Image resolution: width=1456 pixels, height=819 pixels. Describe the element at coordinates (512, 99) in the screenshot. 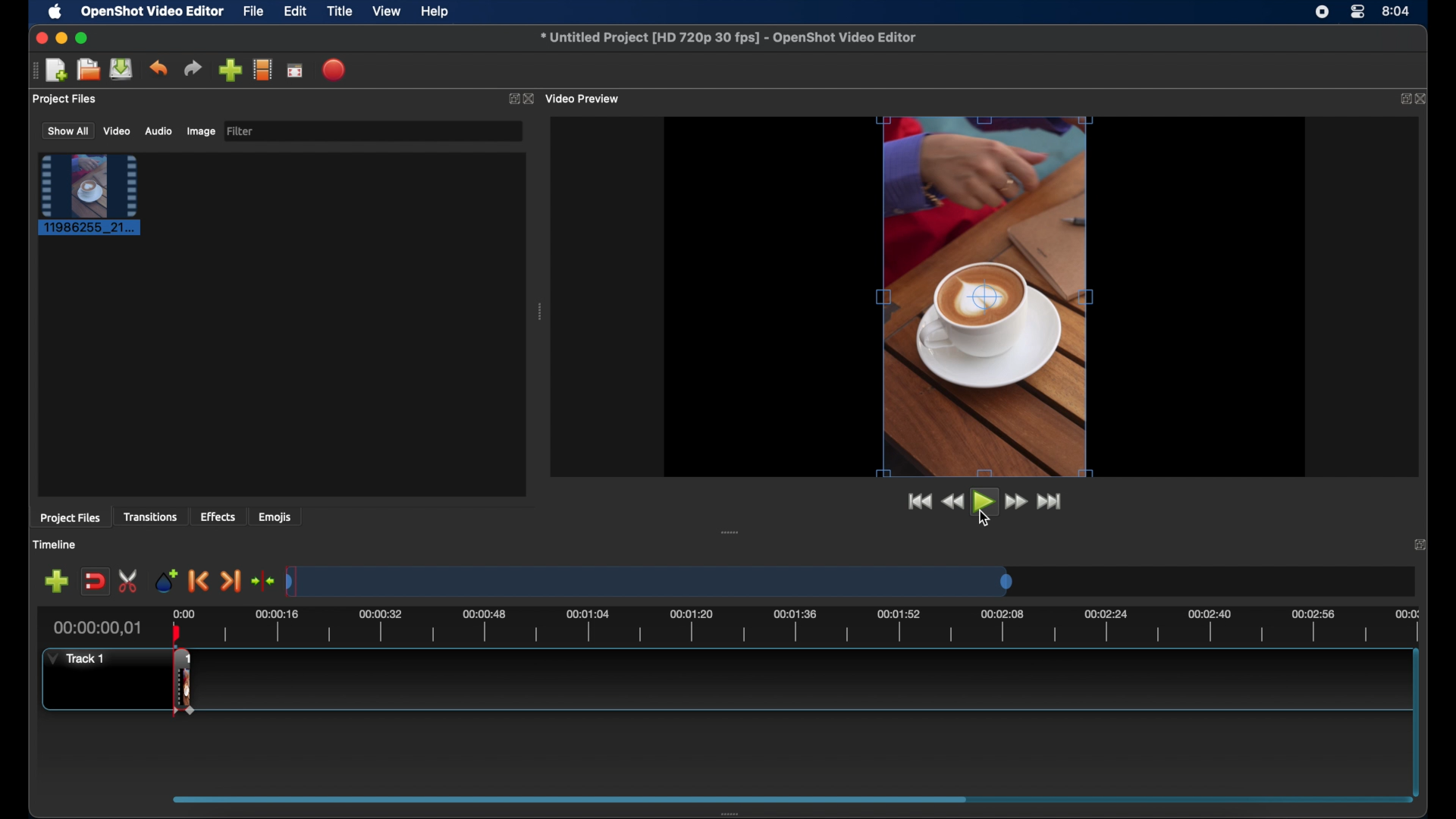

I see `expand` at that location.